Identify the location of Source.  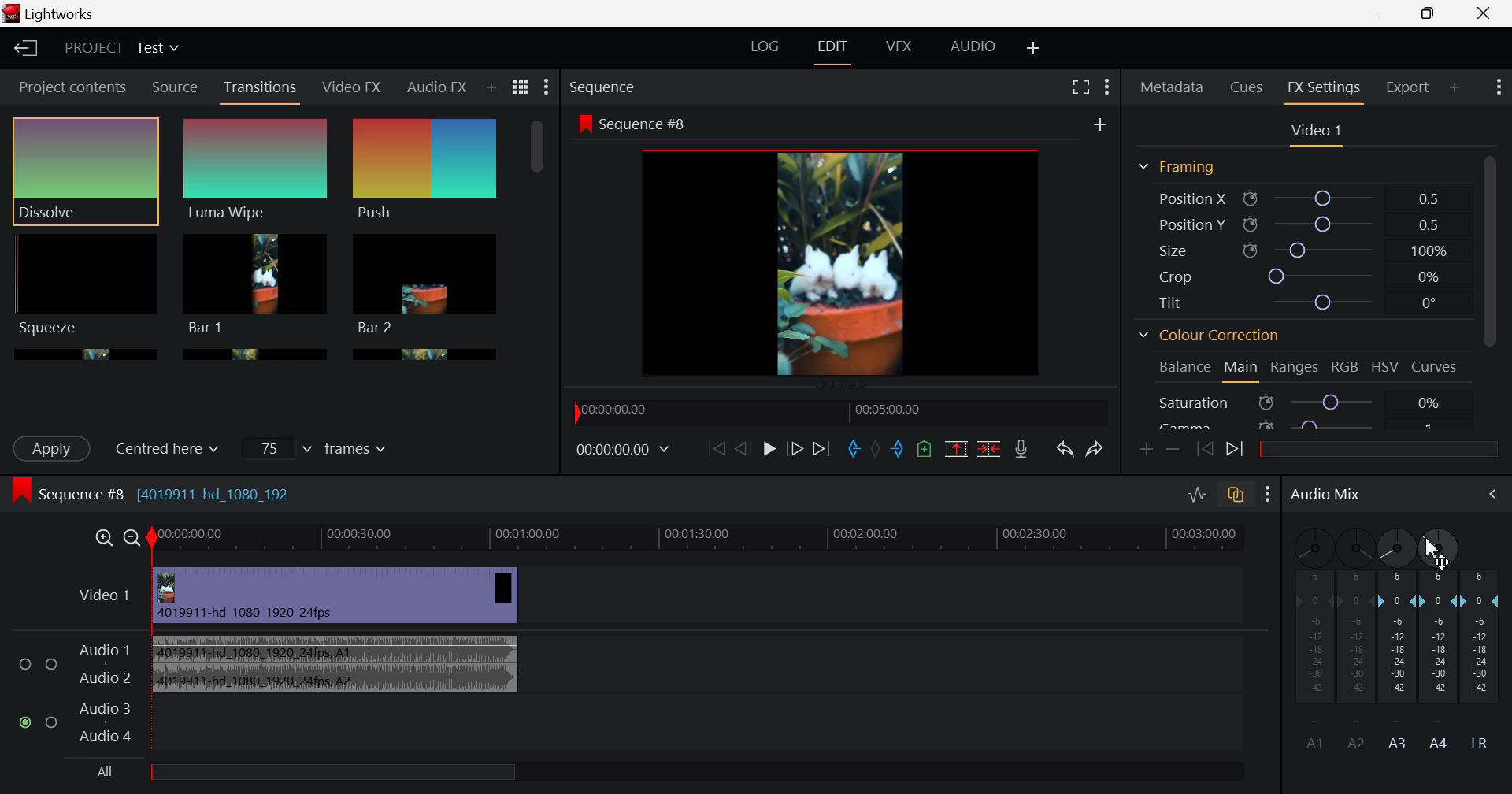
(176, 86).